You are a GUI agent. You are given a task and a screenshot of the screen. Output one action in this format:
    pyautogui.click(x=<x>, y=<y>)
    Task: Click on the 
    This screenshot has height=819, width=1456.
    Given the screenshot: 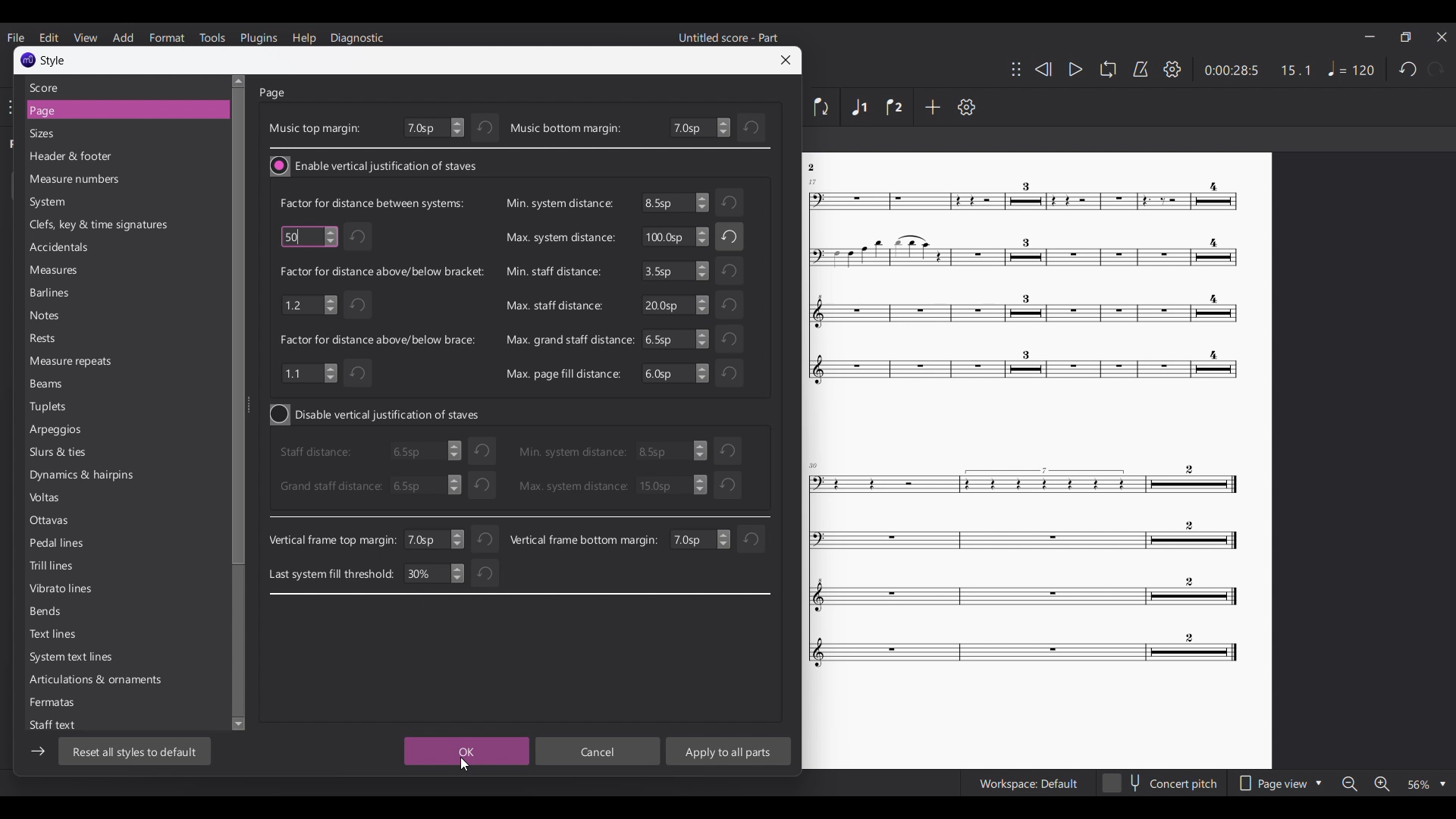 What is the action you would take?
    pyautogui.click(x=1021, y=570)
    